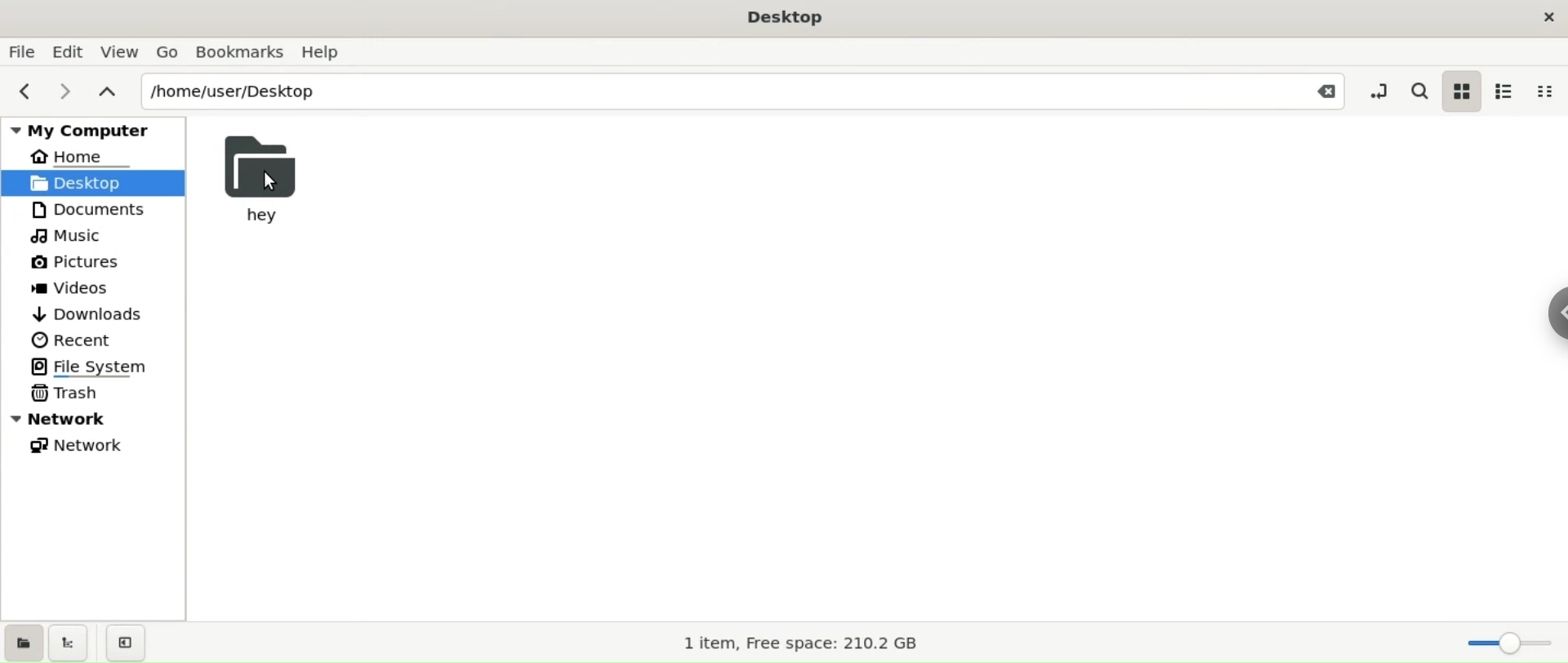  Describe the element at coordinates (122, 54) in the screenshot. I see `view` at that location.